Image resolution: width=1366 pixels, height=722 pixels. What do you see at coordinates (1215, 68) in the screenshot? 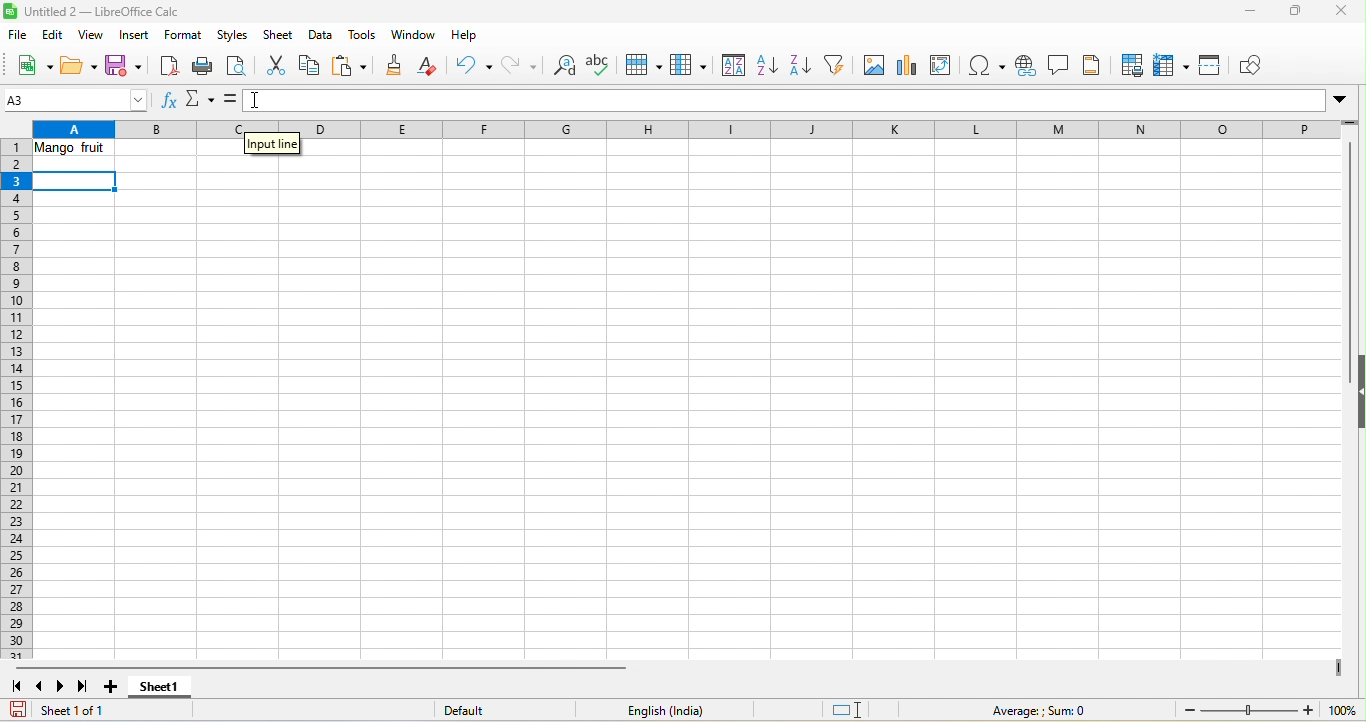
I see `split window` at bounding box center [1215, 68].